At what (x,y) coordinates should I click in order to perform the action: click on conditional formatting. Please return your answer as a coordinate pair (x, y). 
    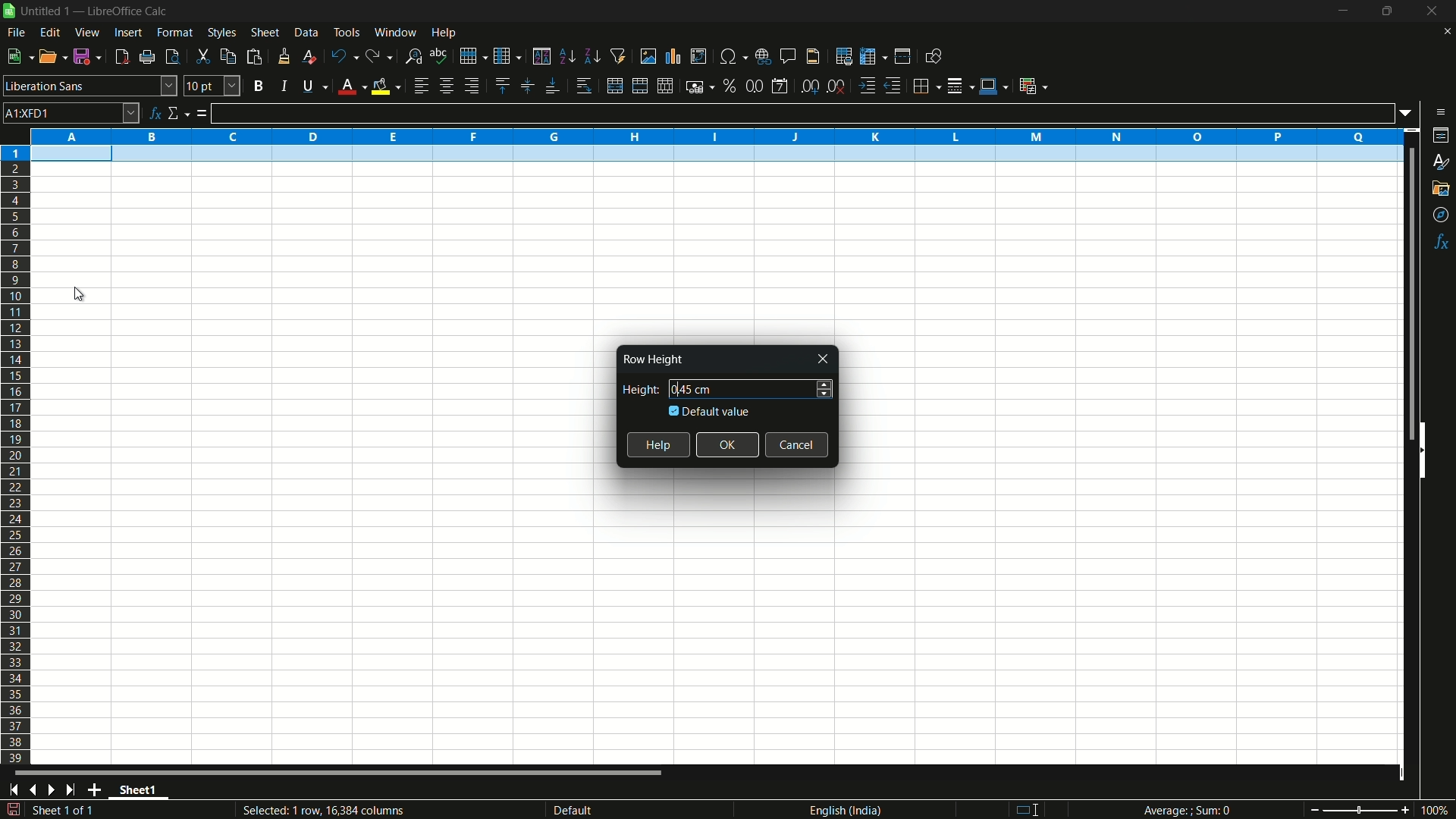
    Looking at the image, I should click on (1032, 86).